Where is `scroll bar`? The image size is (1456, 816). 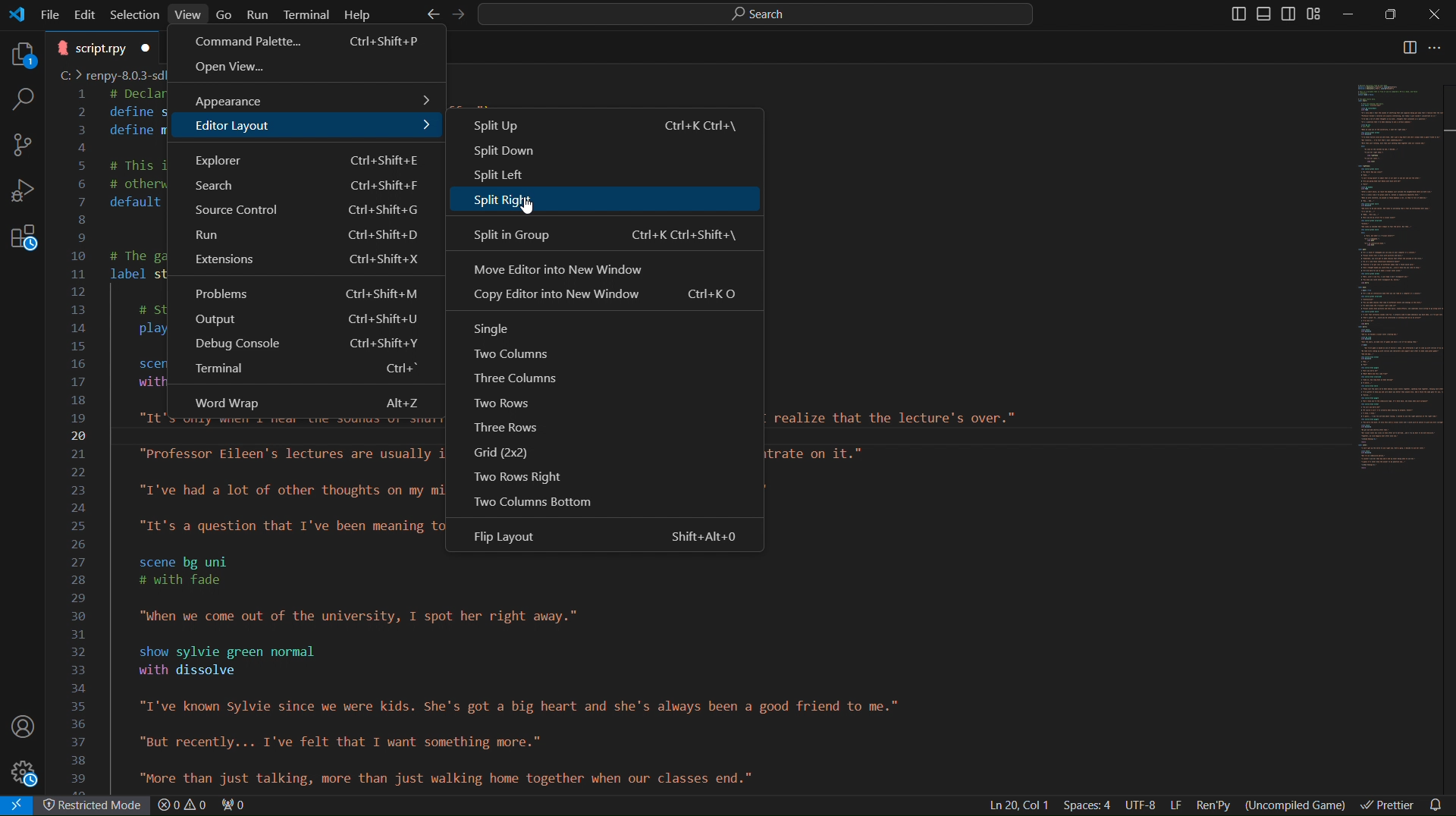
scroll bar is located at coordinates (1447, 359).